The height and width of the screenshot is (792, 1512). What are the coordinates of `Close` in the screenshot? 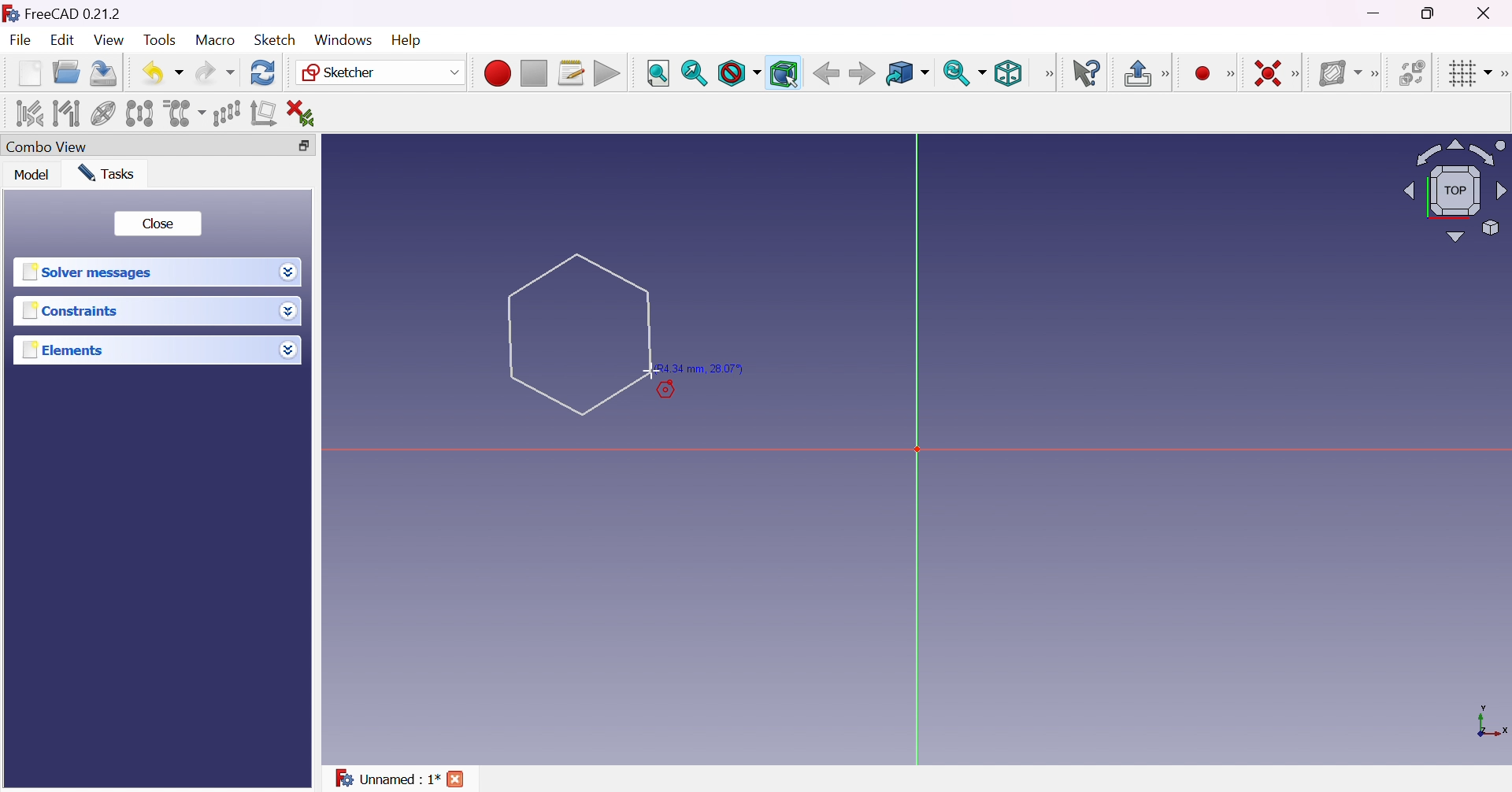 It's located at (157, 224).